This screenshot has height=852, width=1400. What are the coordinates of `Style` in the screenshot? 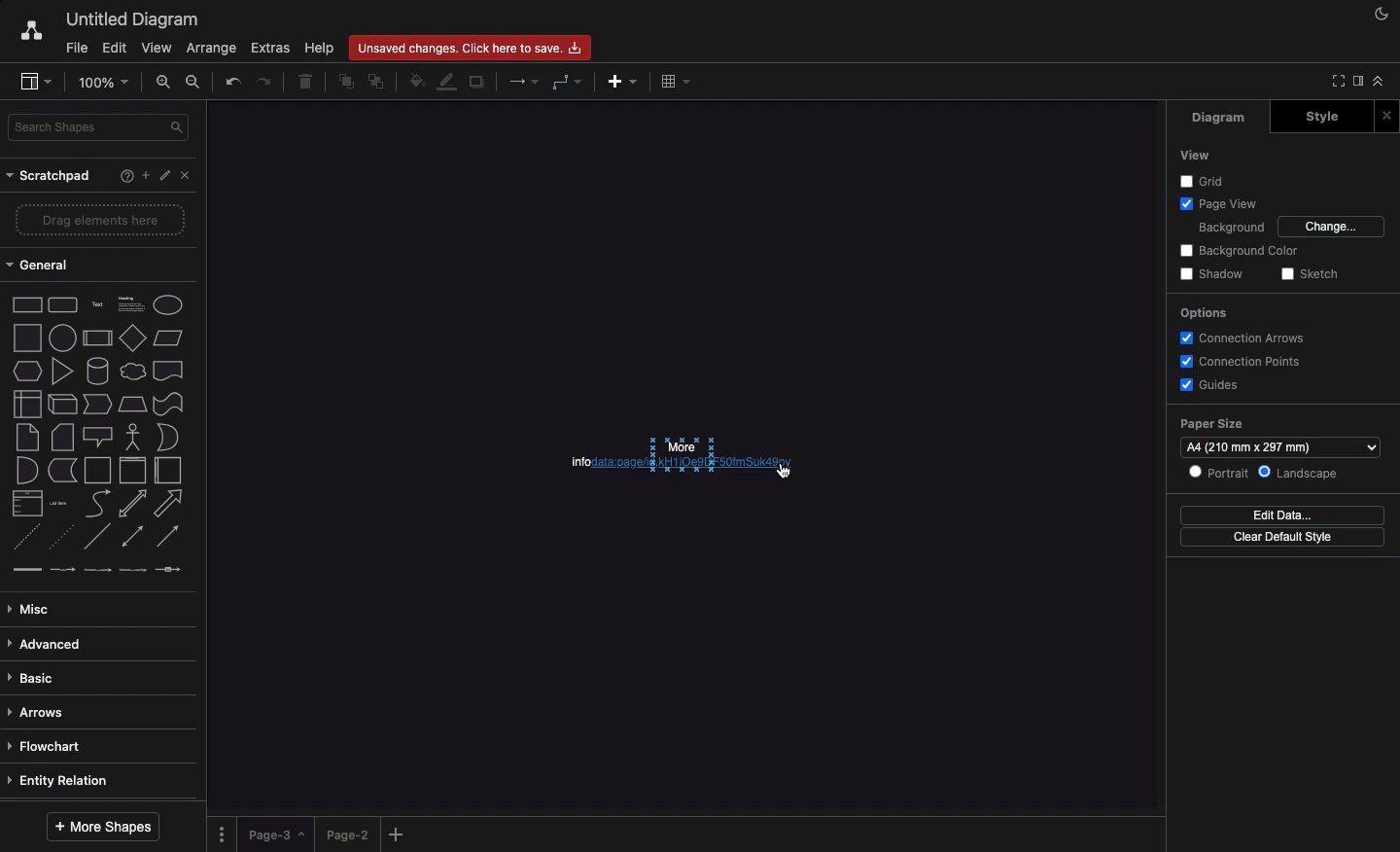 It's located at (1317, 118).